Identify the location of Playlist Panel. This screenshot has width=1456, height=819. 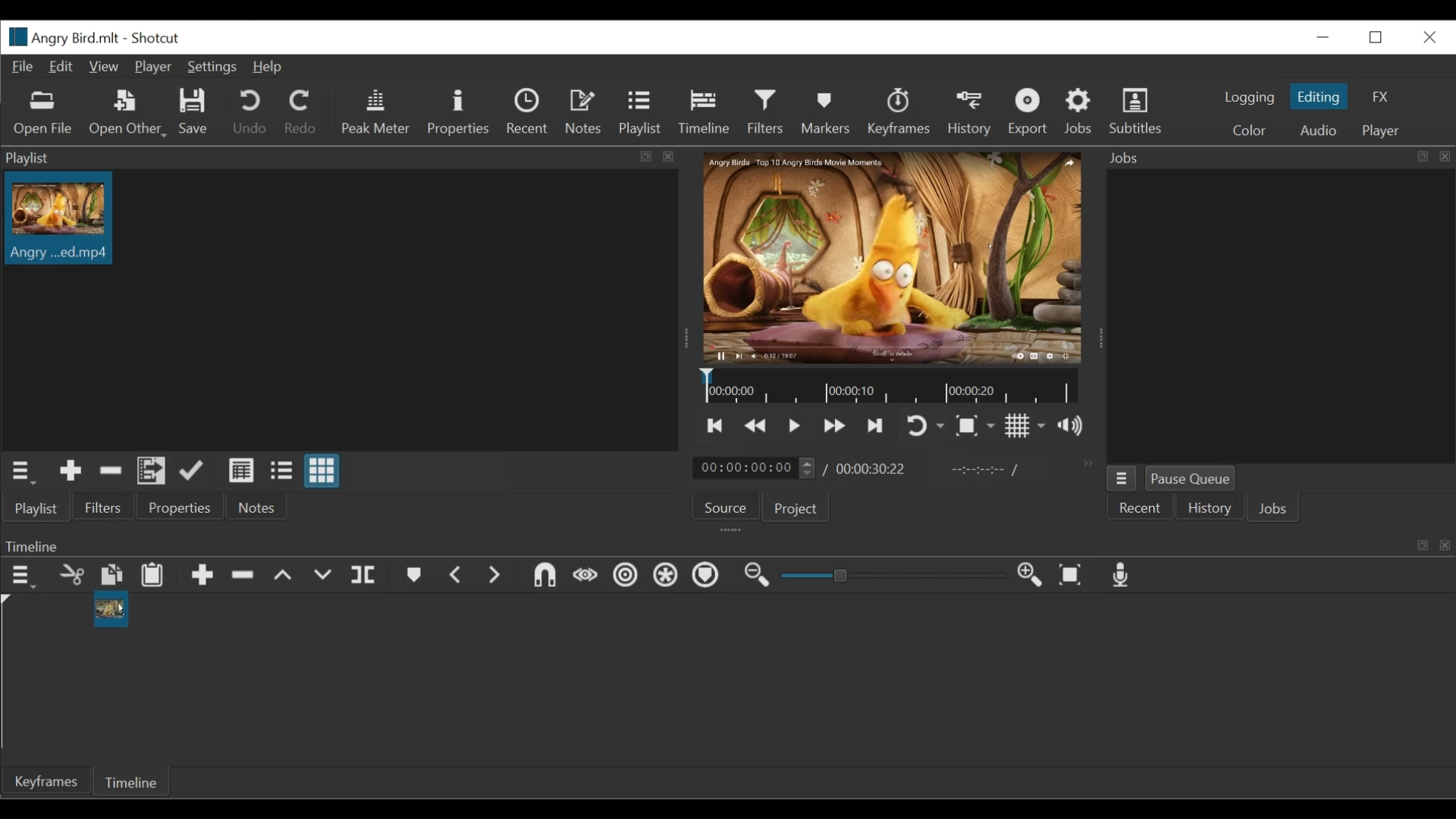
(343, 157).